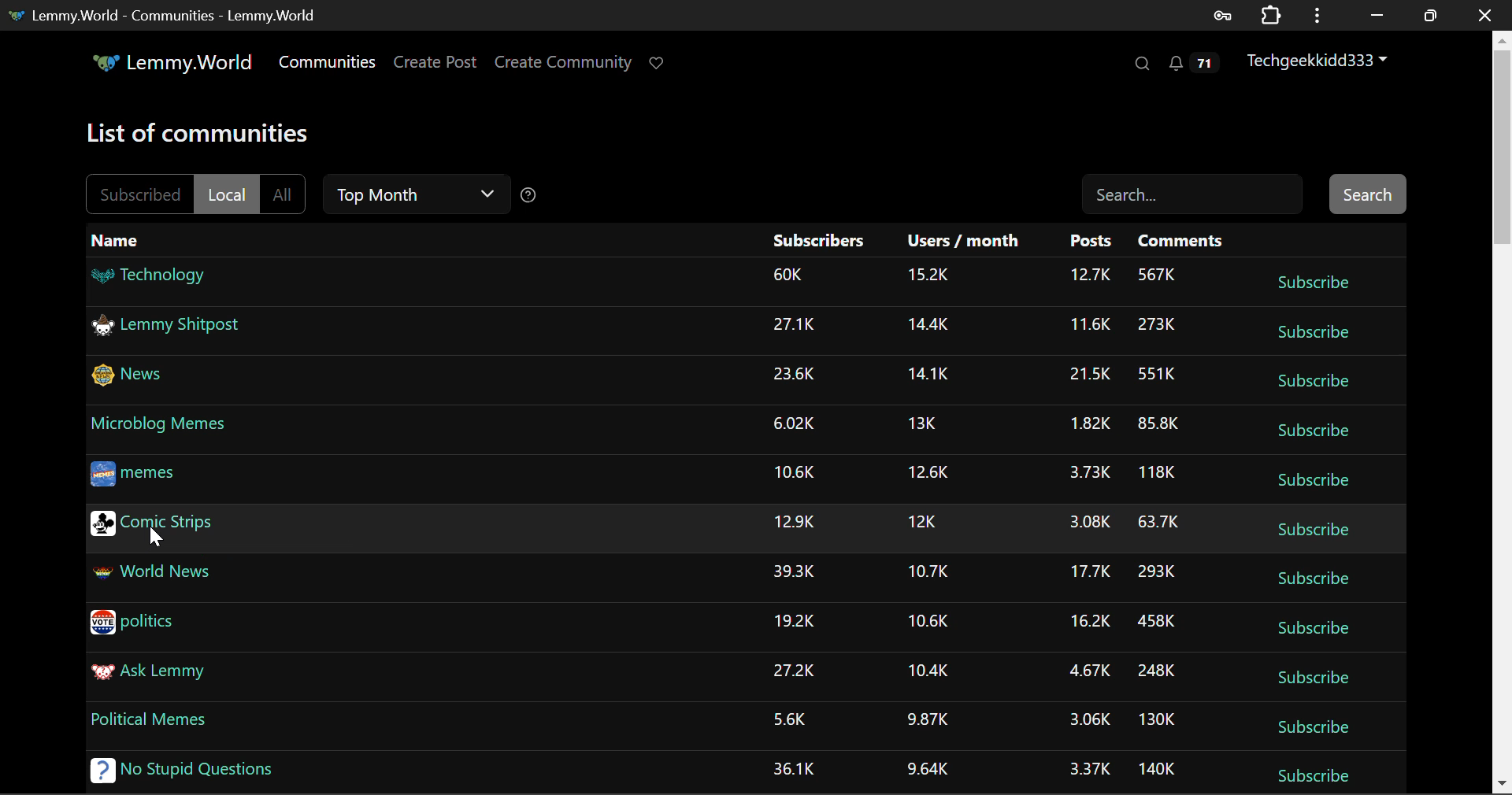 This screenshot has width=1512, height=795. I want to click on 60K, so click(789, 276).